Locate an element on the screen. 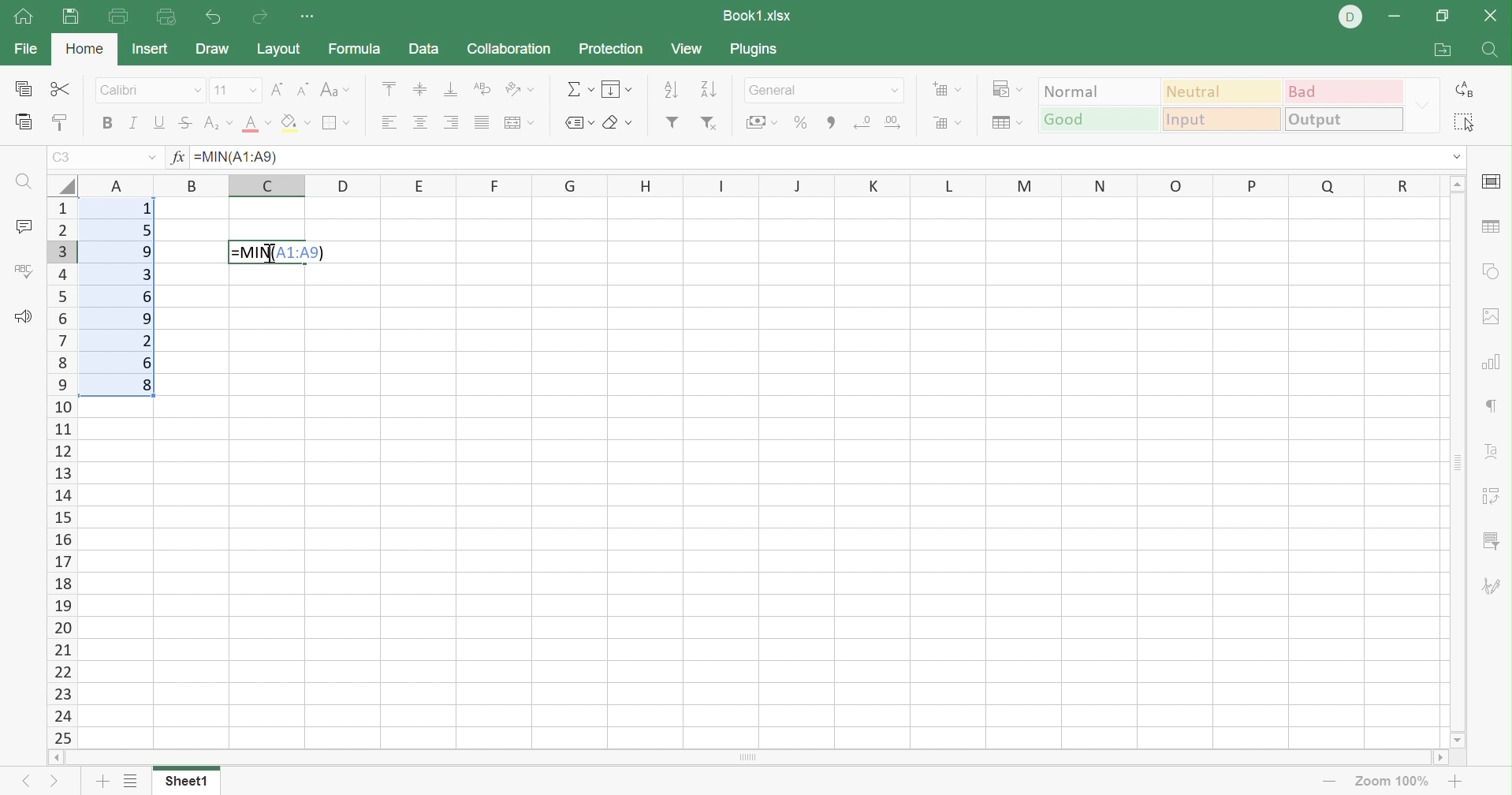 Image resolution: width=1512 pixels, height=795 pixels. Cell settings is located at coordinates (1492, 182).